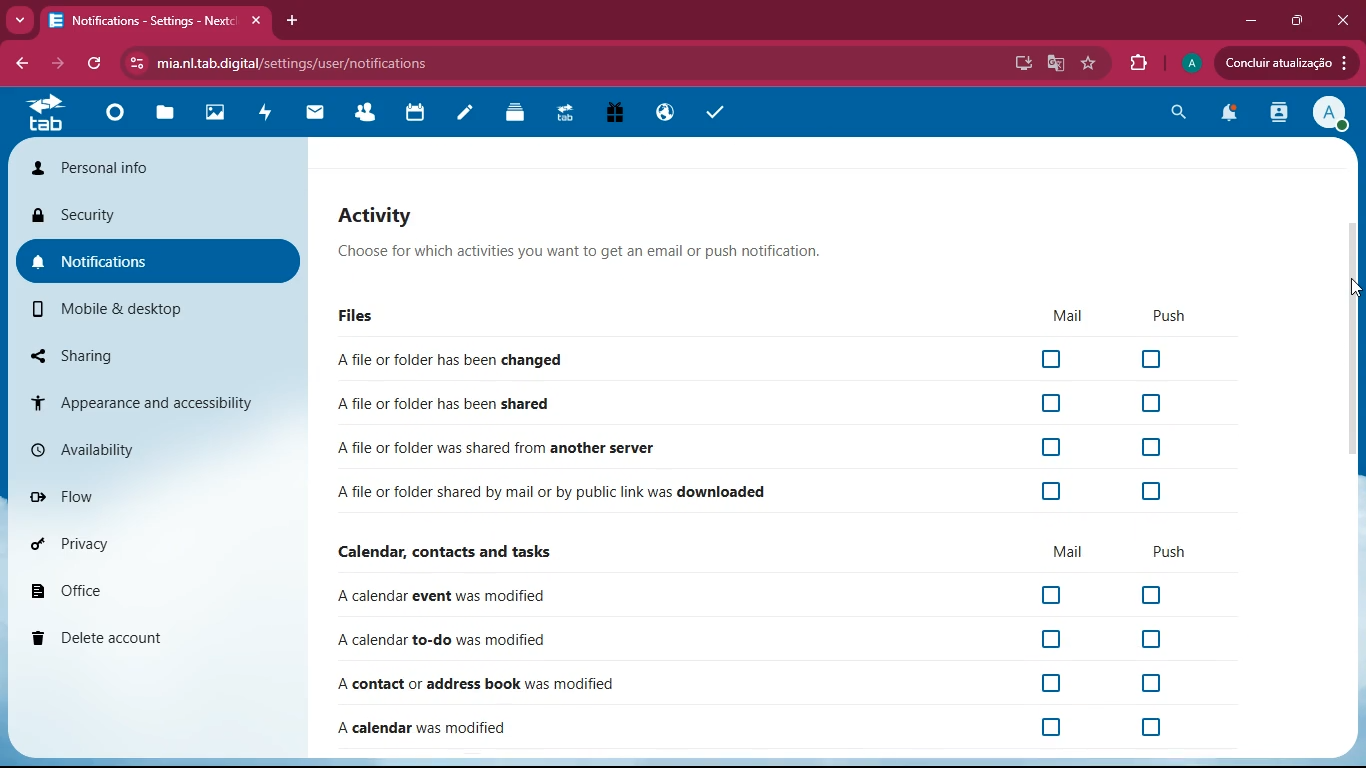 This screenshot has width=1366, height=768. Describe the element at coordinates (1153, 490) in the screenshot. I see `checkbox` at that location.